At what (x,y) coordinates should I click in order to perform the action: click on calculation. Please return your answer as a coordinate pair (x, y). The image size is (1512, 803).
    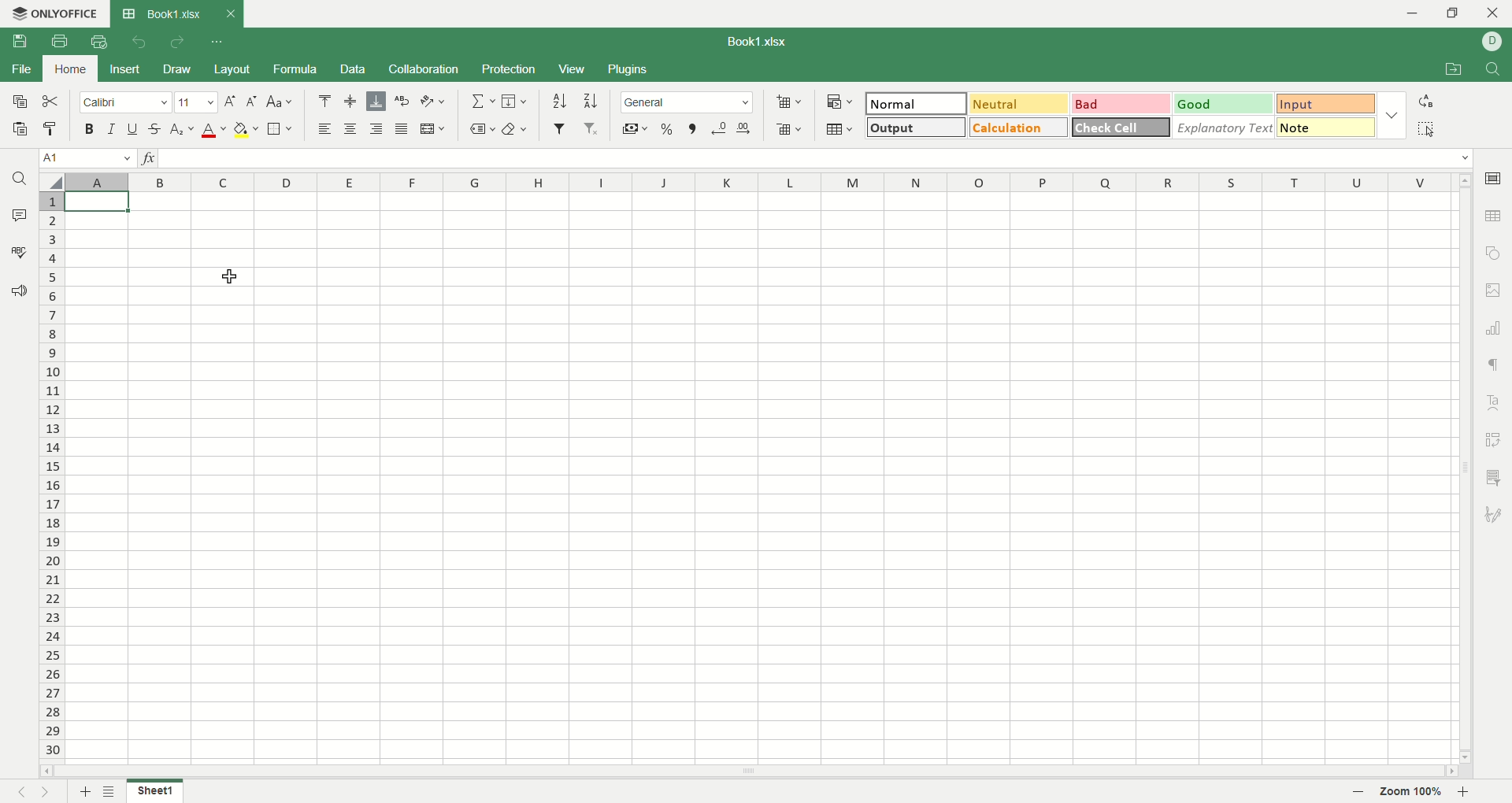
    Looking at the image, I should click on (1019, 127).